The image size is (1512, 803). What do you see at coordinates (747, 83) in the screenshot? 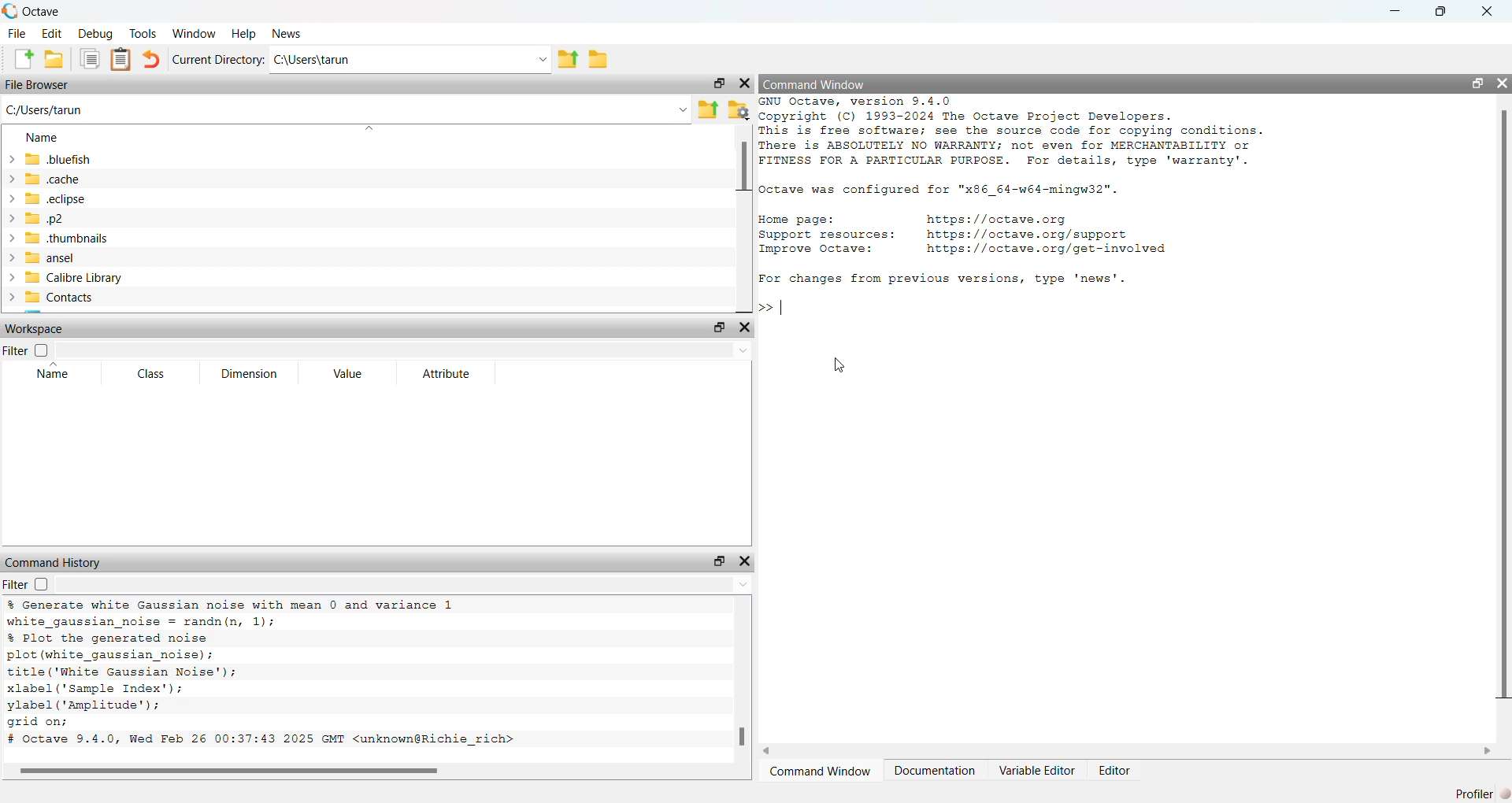
I see `close` at bounding box center [747, 83].